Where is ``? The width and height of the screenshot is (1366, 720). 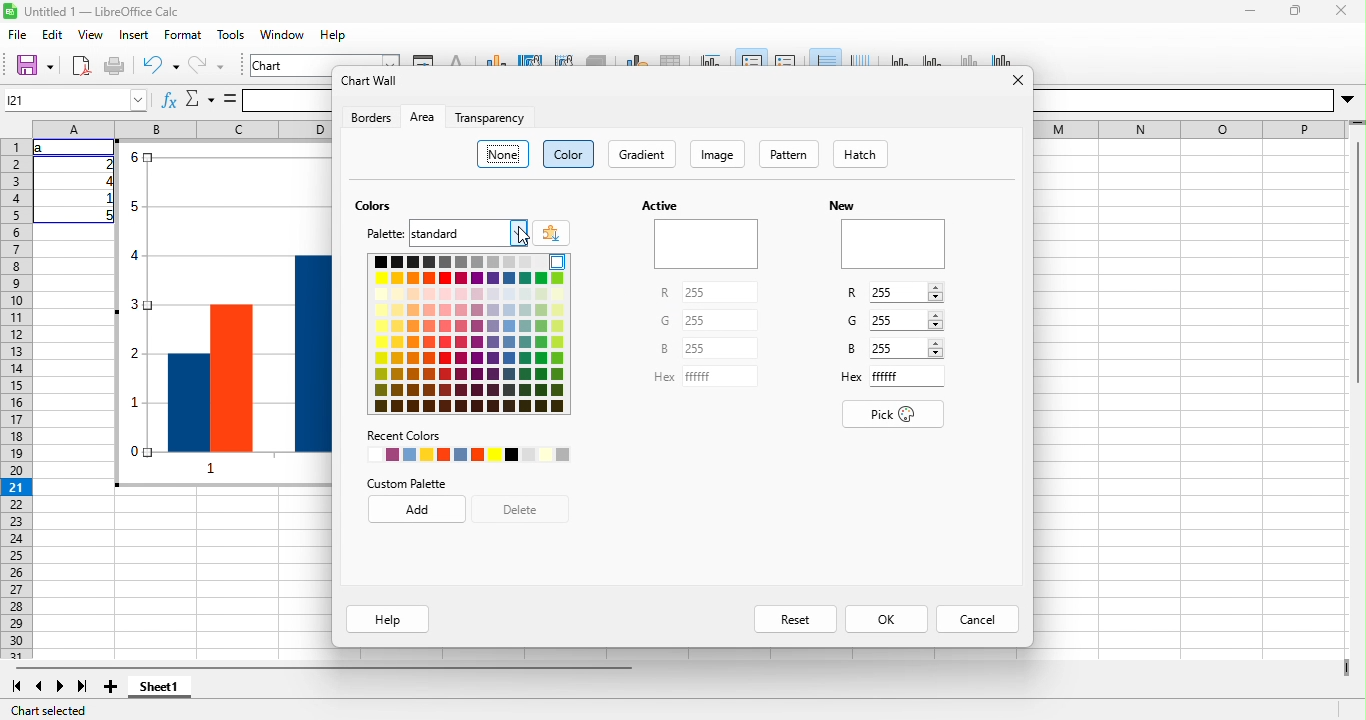  is located at coordinates (1183, 101).